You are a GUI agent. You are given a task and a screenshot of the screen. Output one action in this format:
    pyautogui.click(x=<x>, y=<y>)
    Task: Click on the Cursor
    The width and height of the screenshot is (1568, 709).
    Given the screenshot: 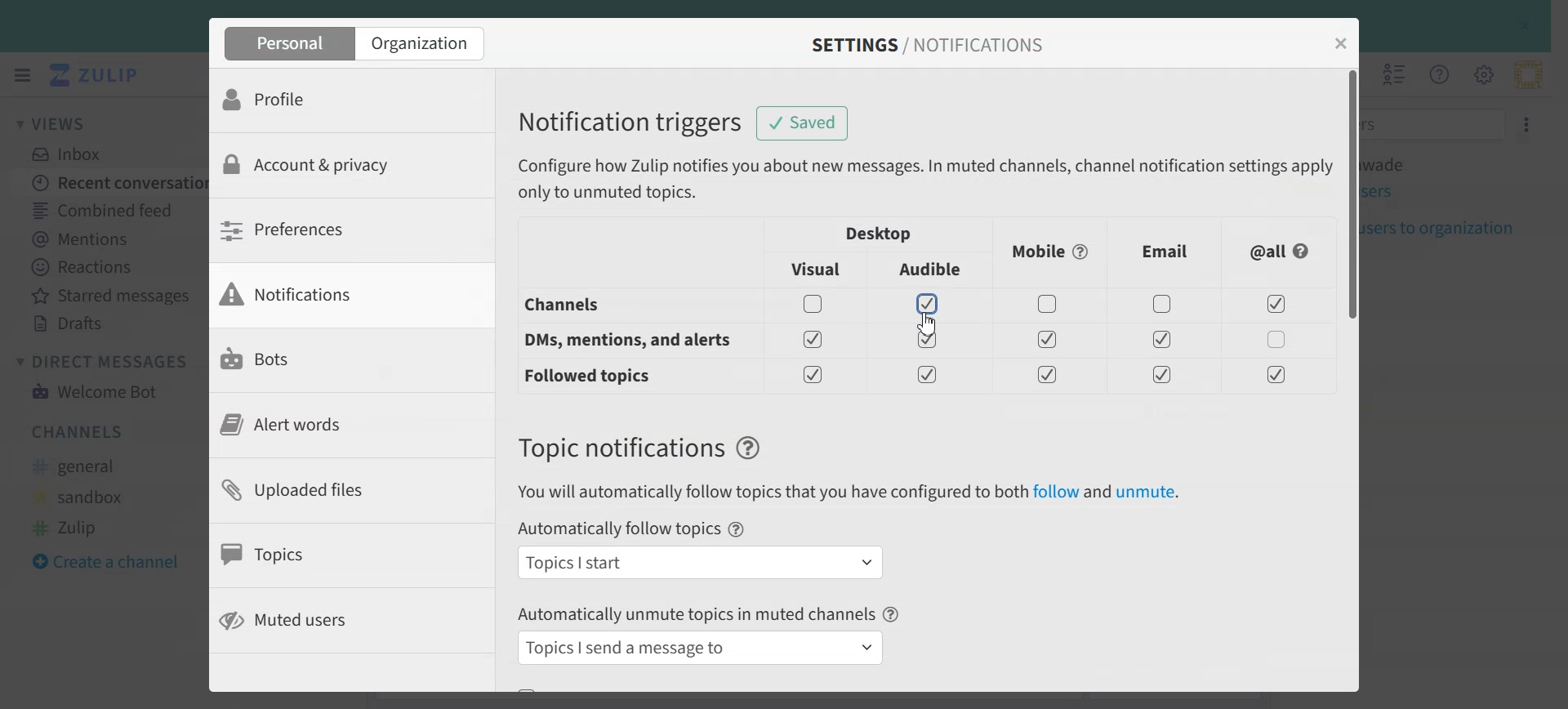 What is the action you would take?
    pyautogui.click(x=927, y=323)
    